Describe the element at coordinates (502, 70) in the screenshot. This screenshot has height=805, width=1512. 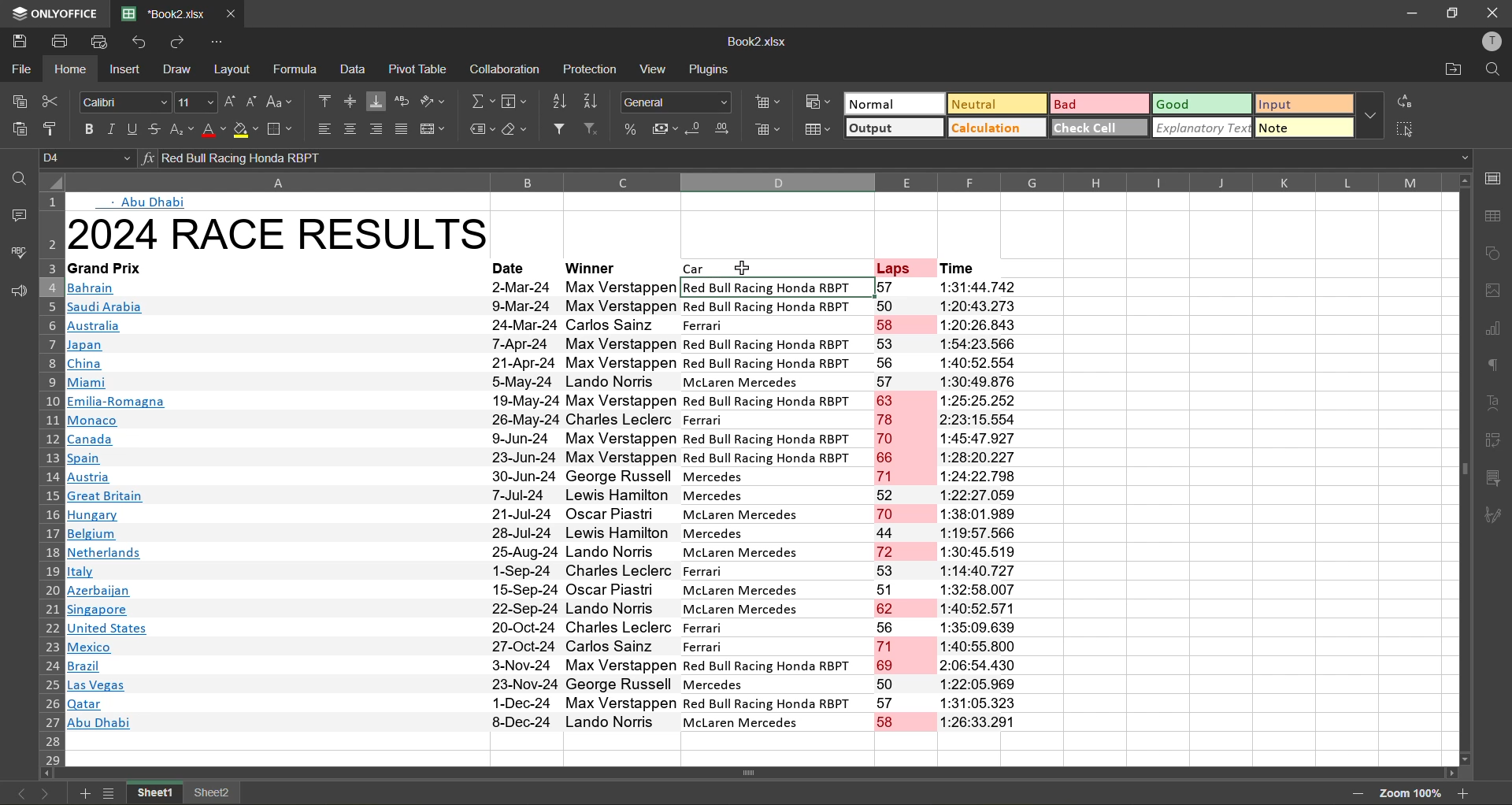
I see `collaboration` at that location.